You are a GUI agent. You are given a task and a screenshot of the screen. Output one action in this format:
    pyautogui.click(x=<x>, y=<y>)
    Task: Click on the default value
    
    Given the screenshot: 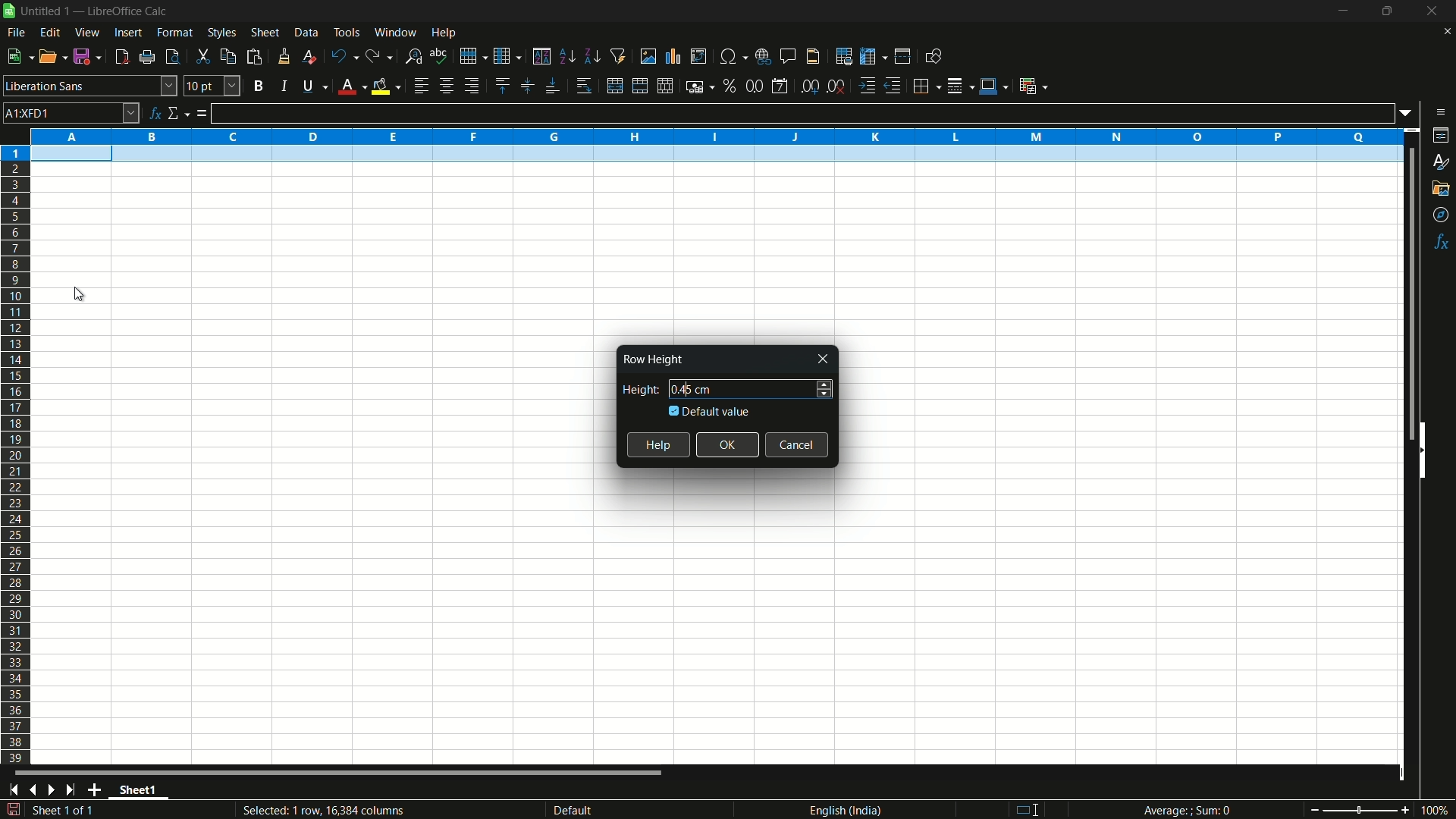 What is the action you would take?
    pyautogui.click(x=711, y=411)
    